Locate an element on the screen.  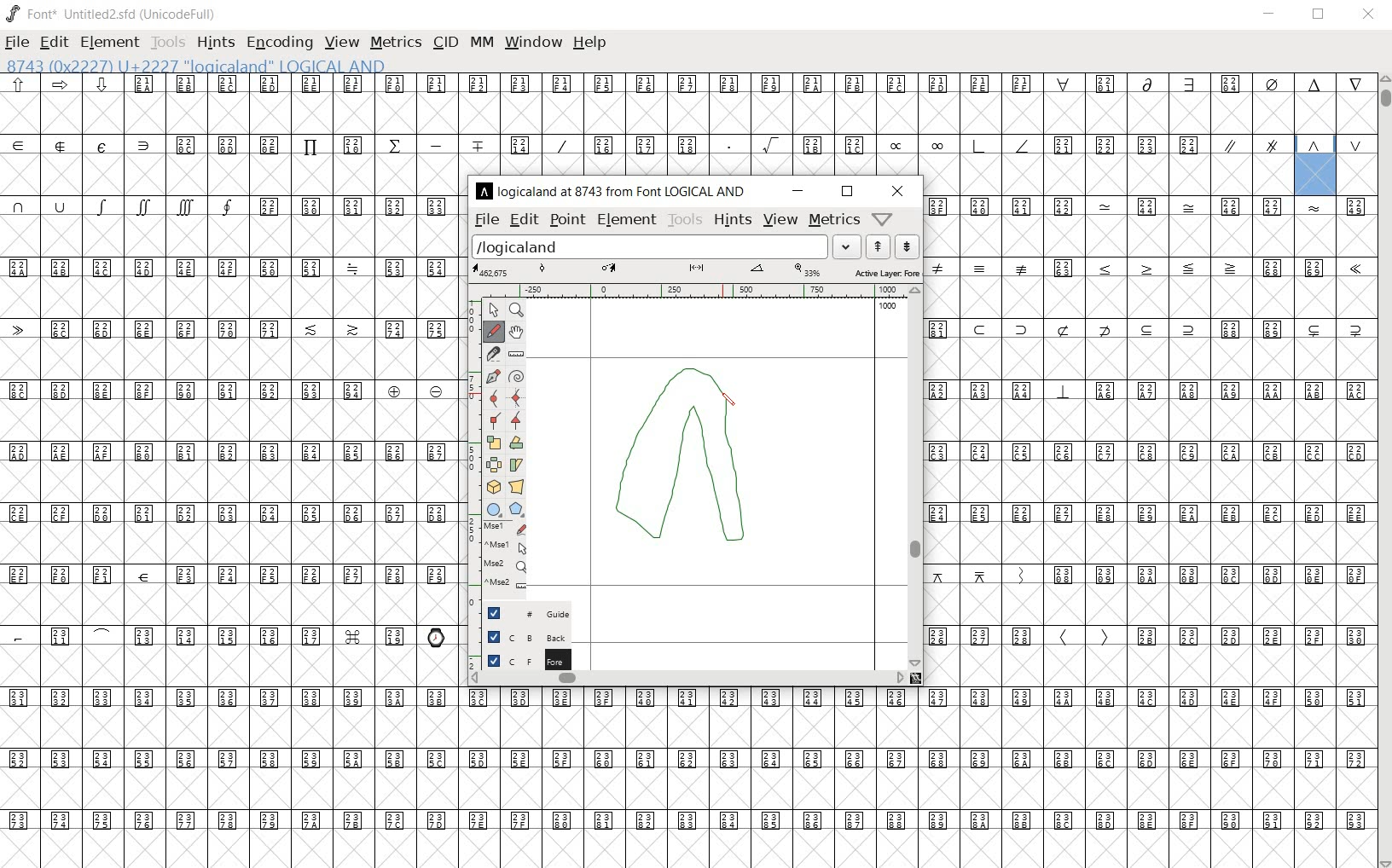
point is located at coordinates (567, 220).